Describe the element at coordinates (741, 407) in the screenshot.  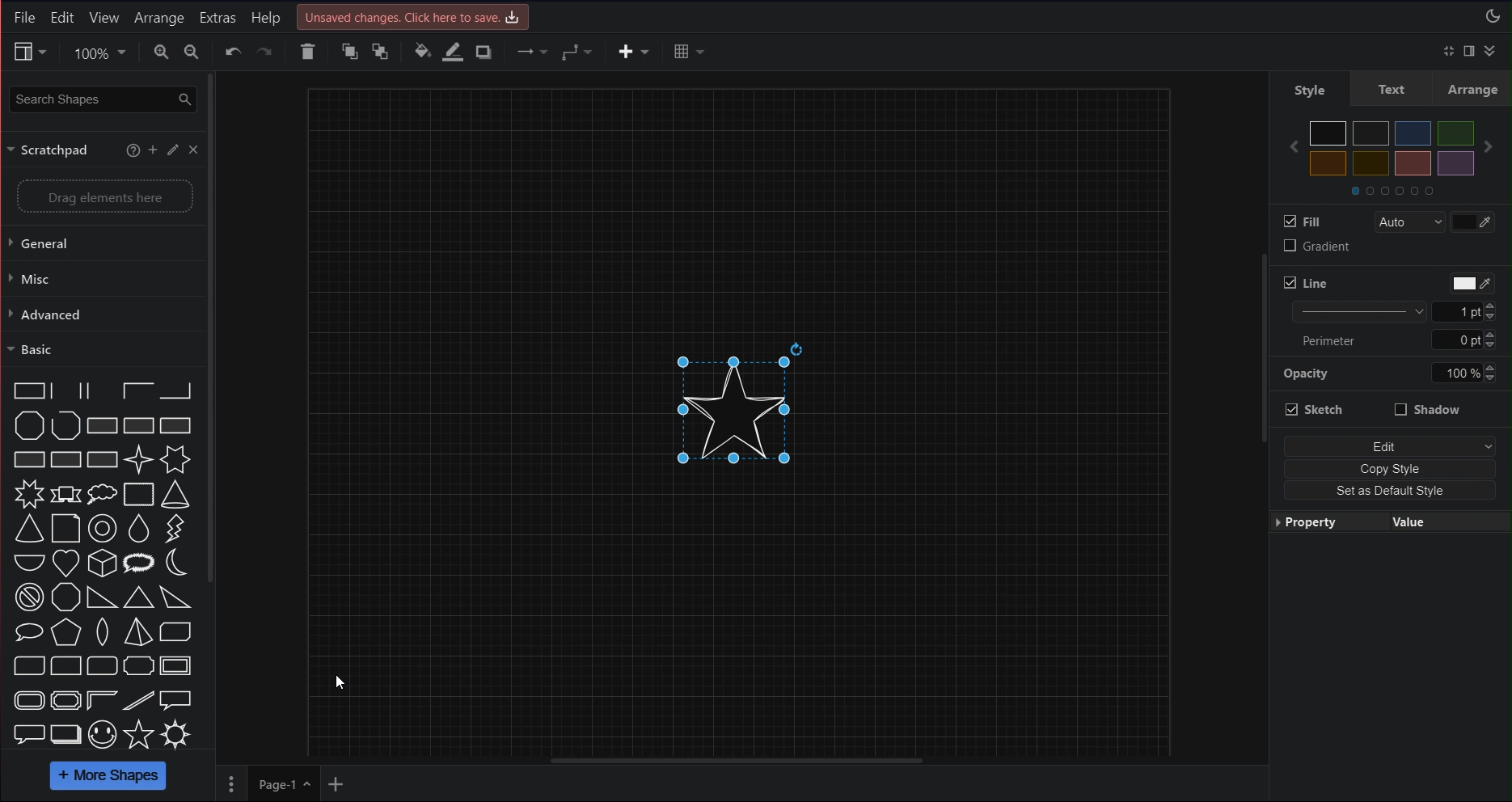
I see `Star` at that location.